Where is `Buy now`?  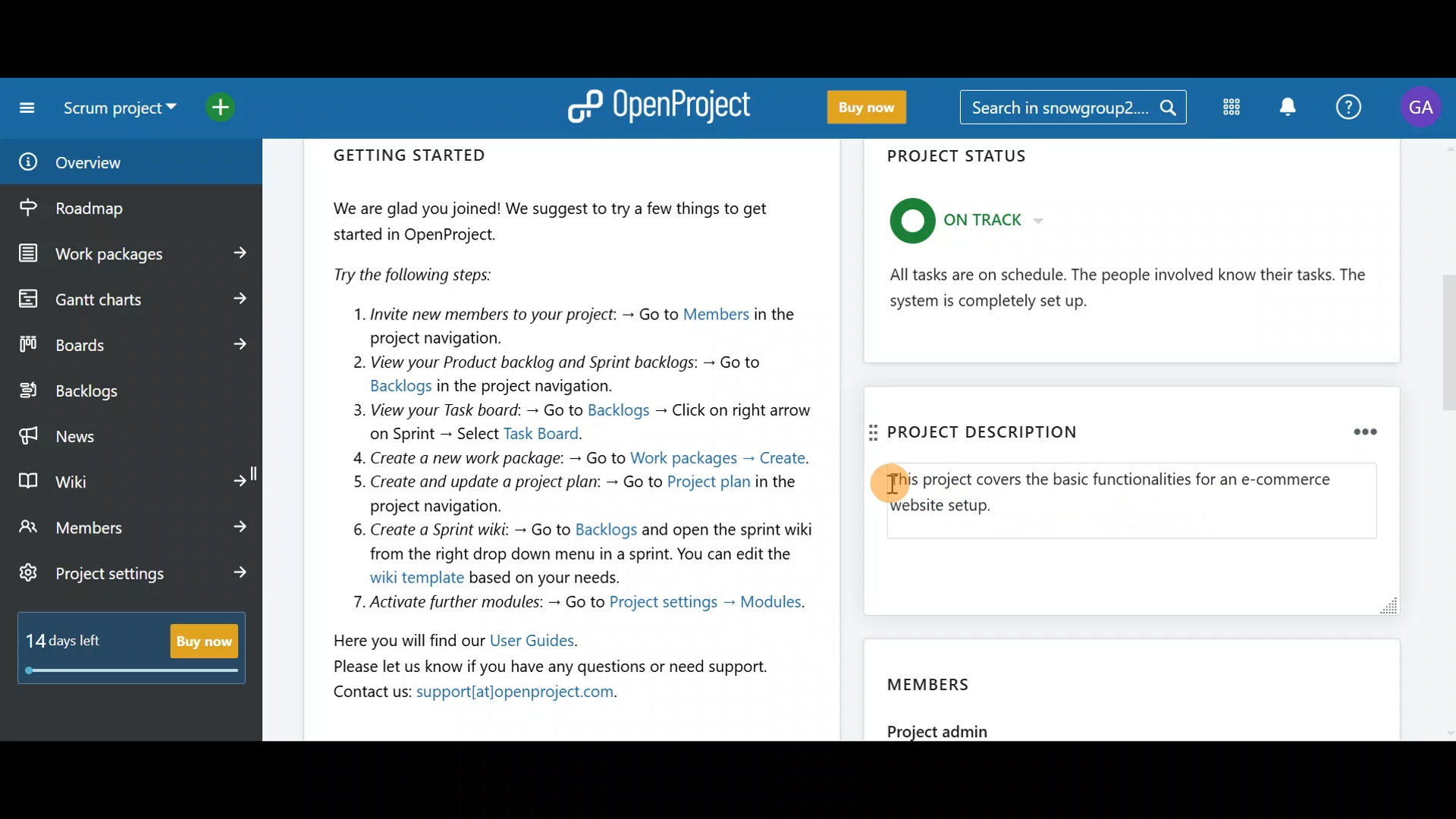 Buy now is located at coordinates (138, 657).